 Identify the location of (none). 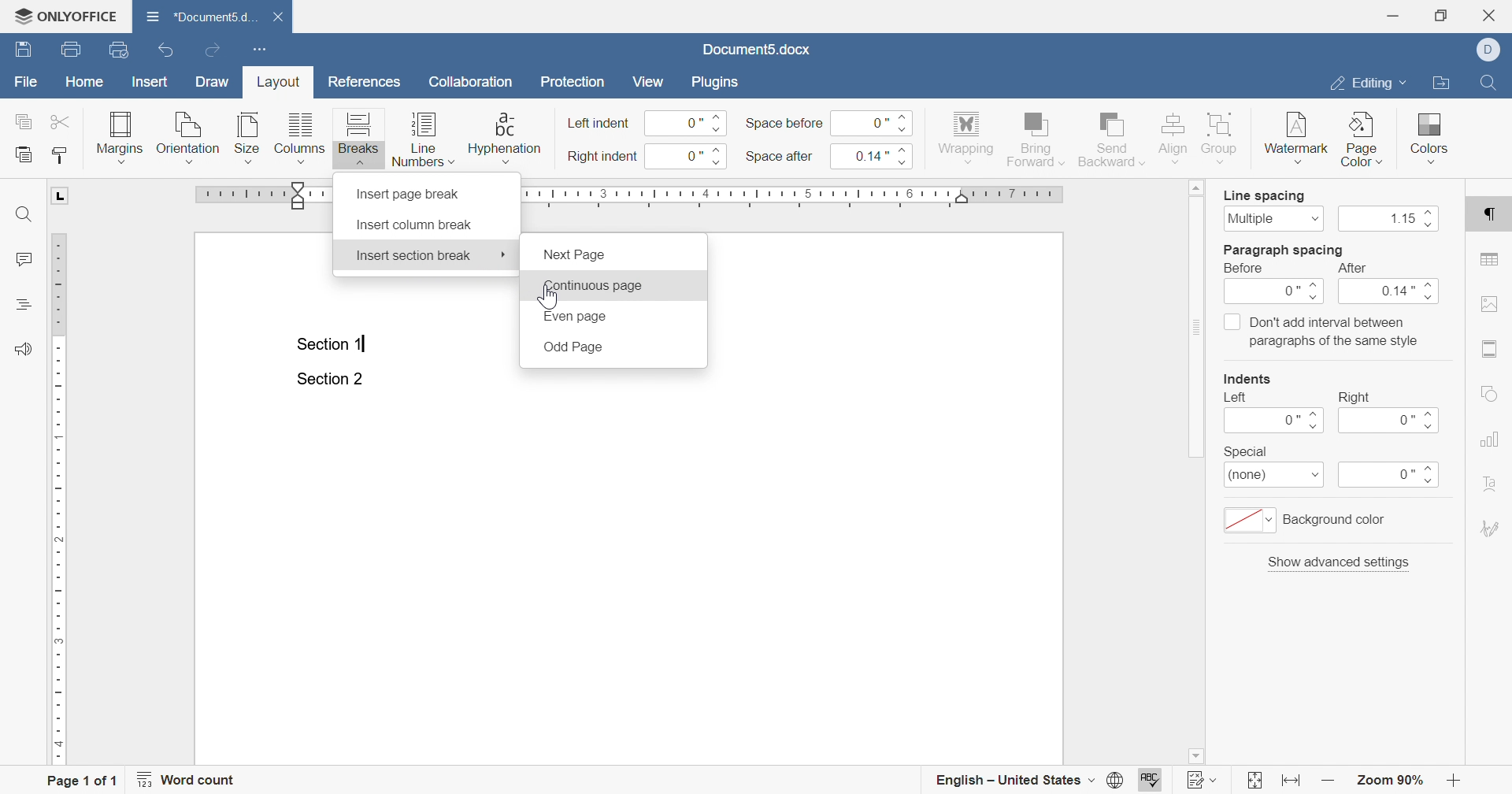
(1275, 477).